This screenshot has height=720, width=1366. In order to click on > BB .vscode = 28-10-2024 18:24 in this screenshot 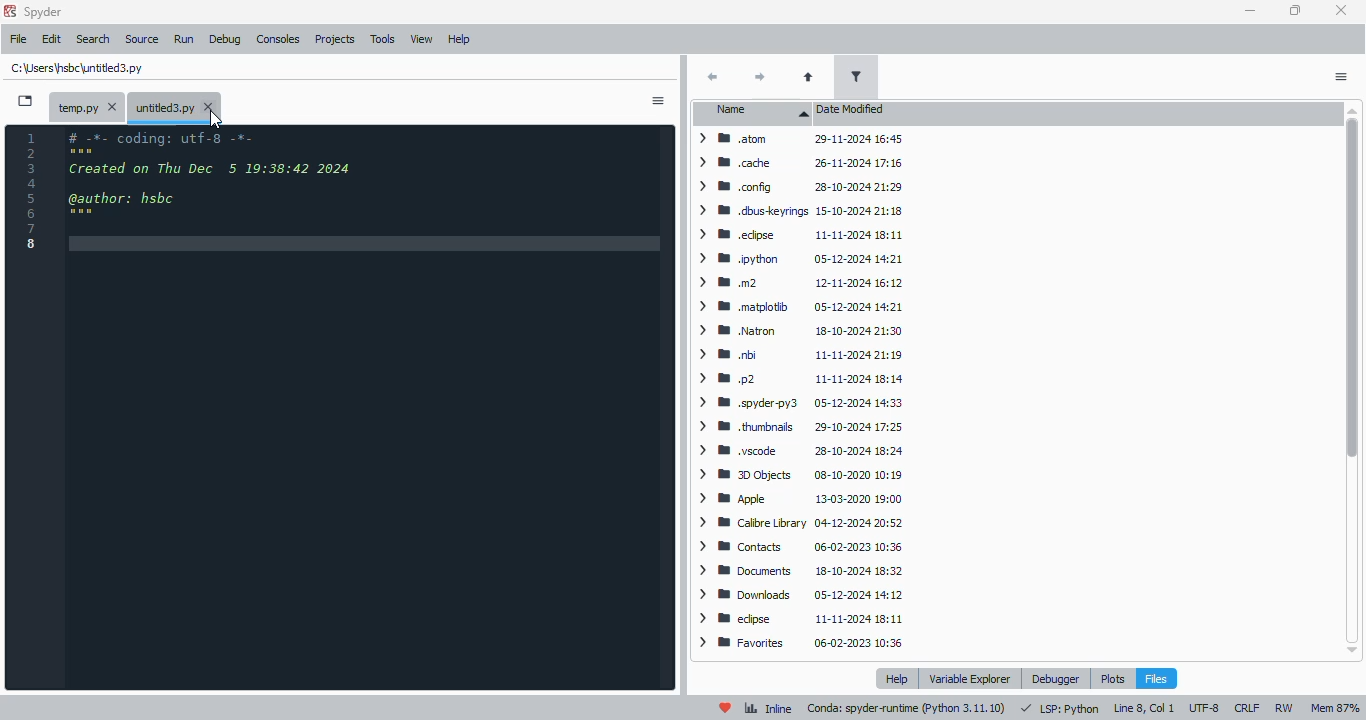, I will do `click(798, 452)`.